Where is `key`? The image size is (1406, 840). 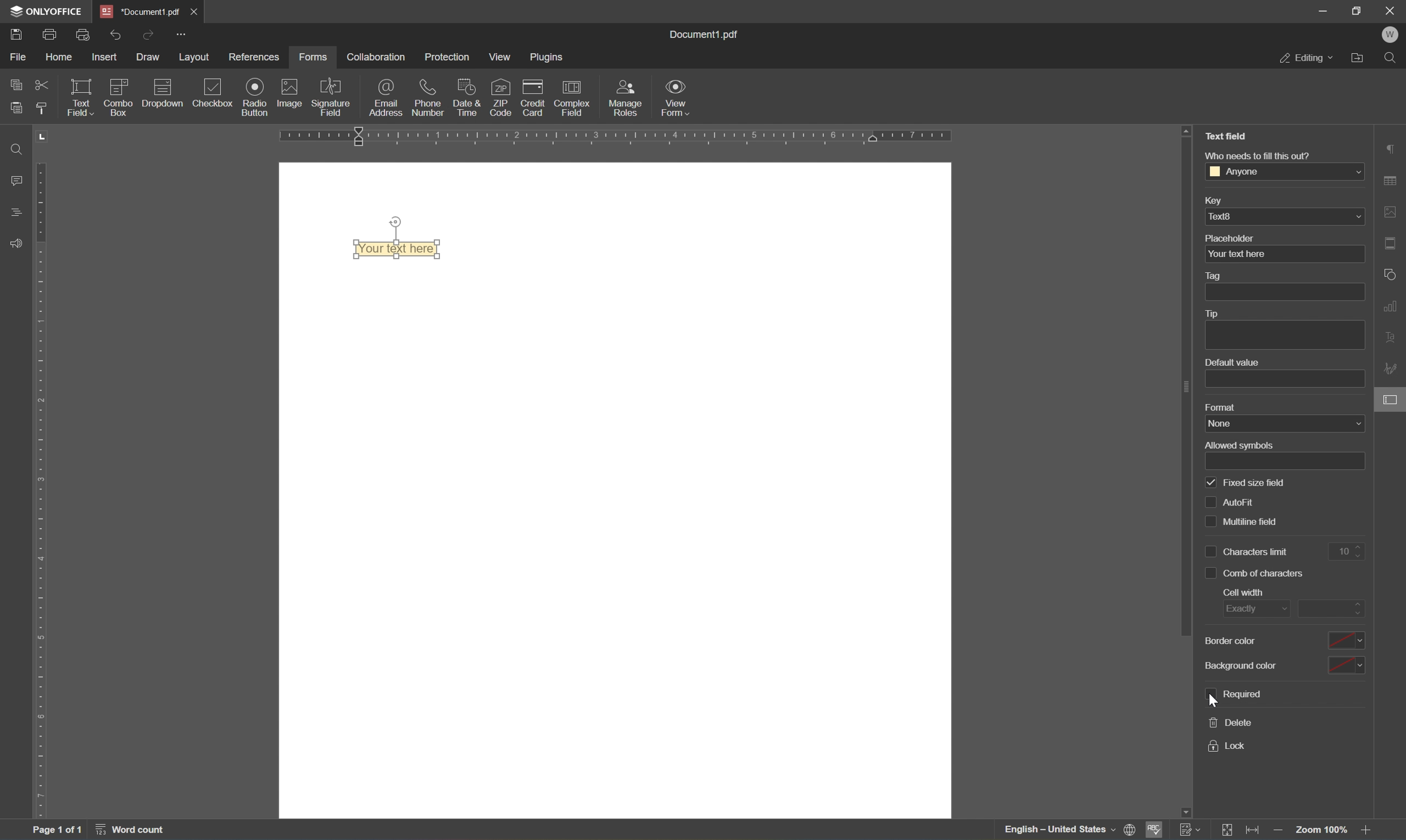 key is located at coordinates (1219, 199).